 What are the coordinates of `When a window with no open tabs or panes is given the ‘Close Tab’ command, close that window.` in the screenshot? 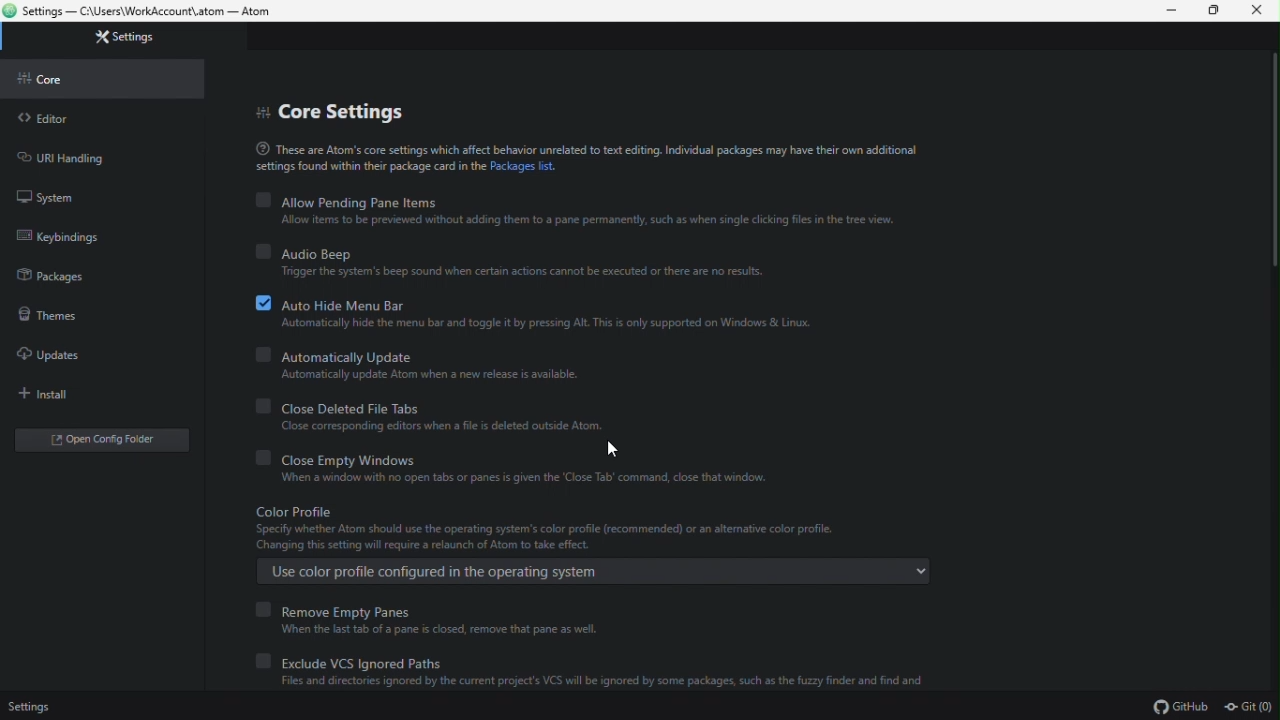 It's located at (523, 478).